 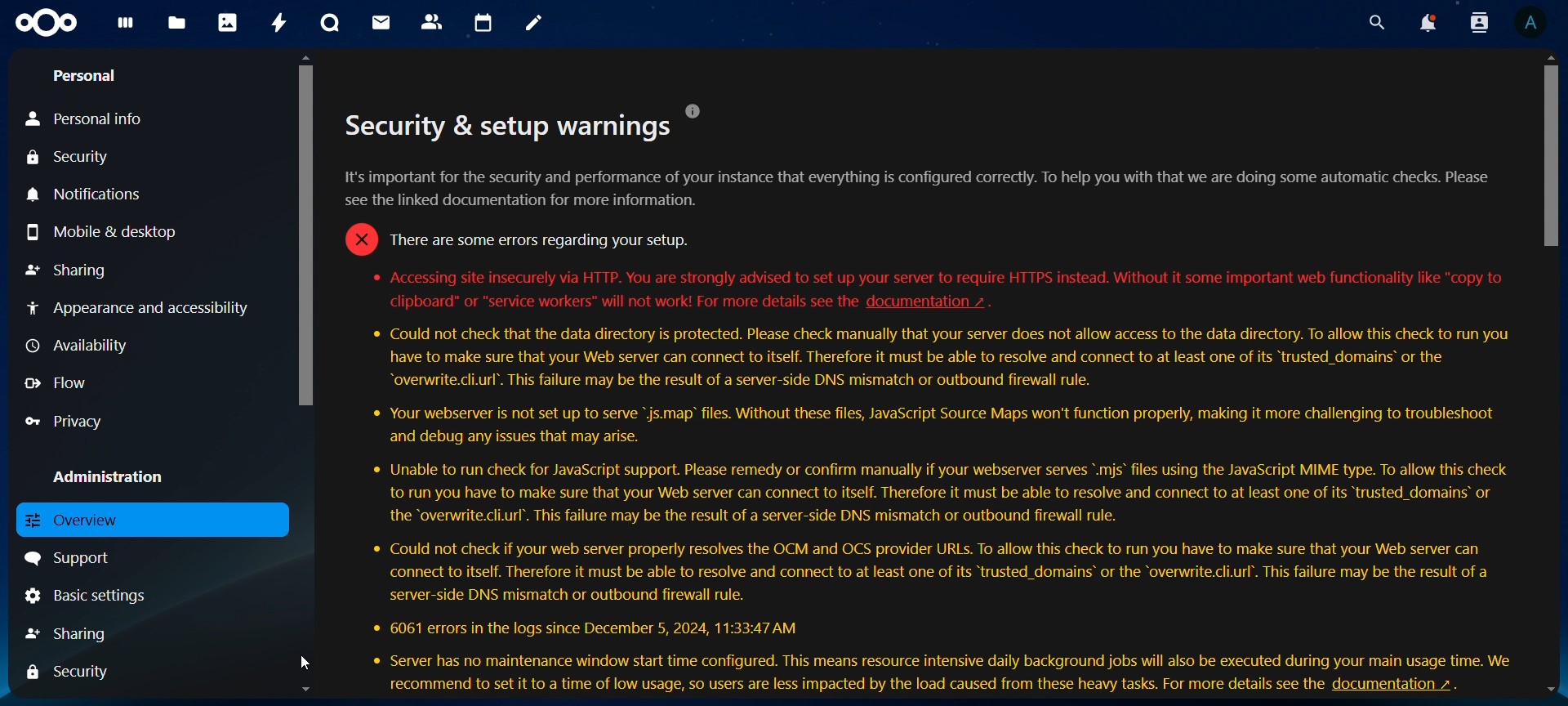 I want to click on talk, so click(x=328, y=23).